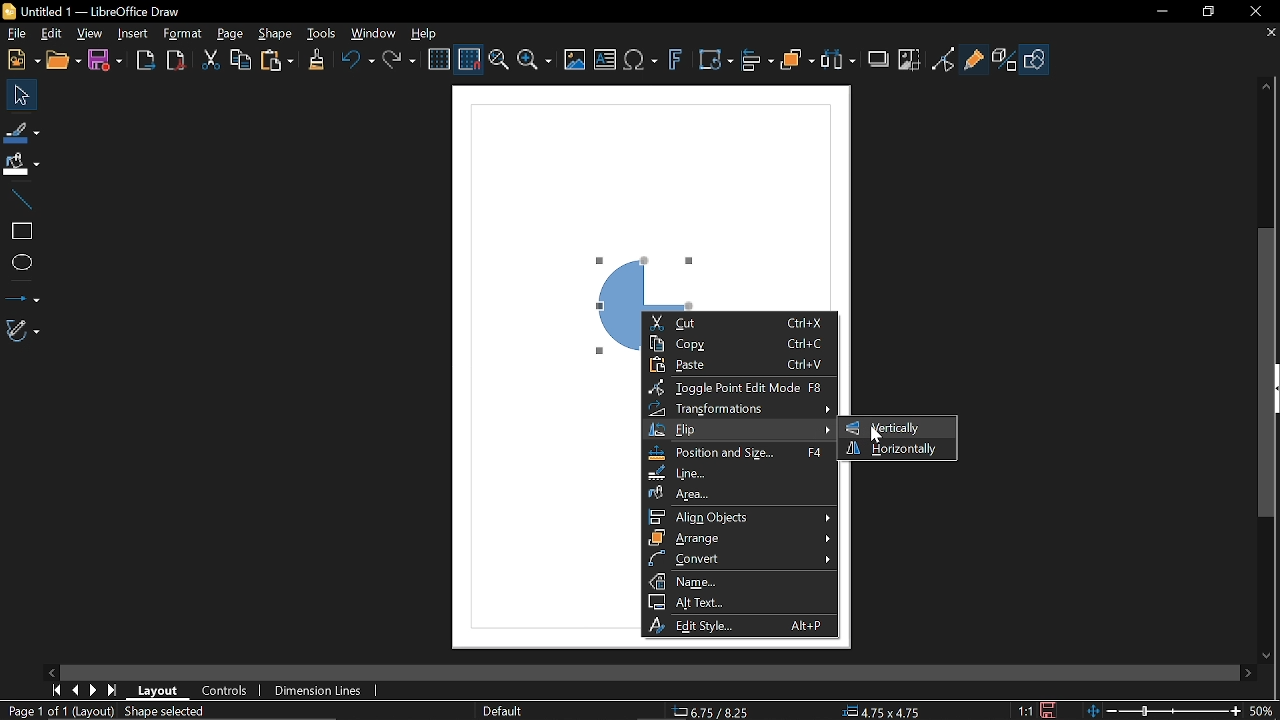  I want to click on Cut, so click(212, 60).